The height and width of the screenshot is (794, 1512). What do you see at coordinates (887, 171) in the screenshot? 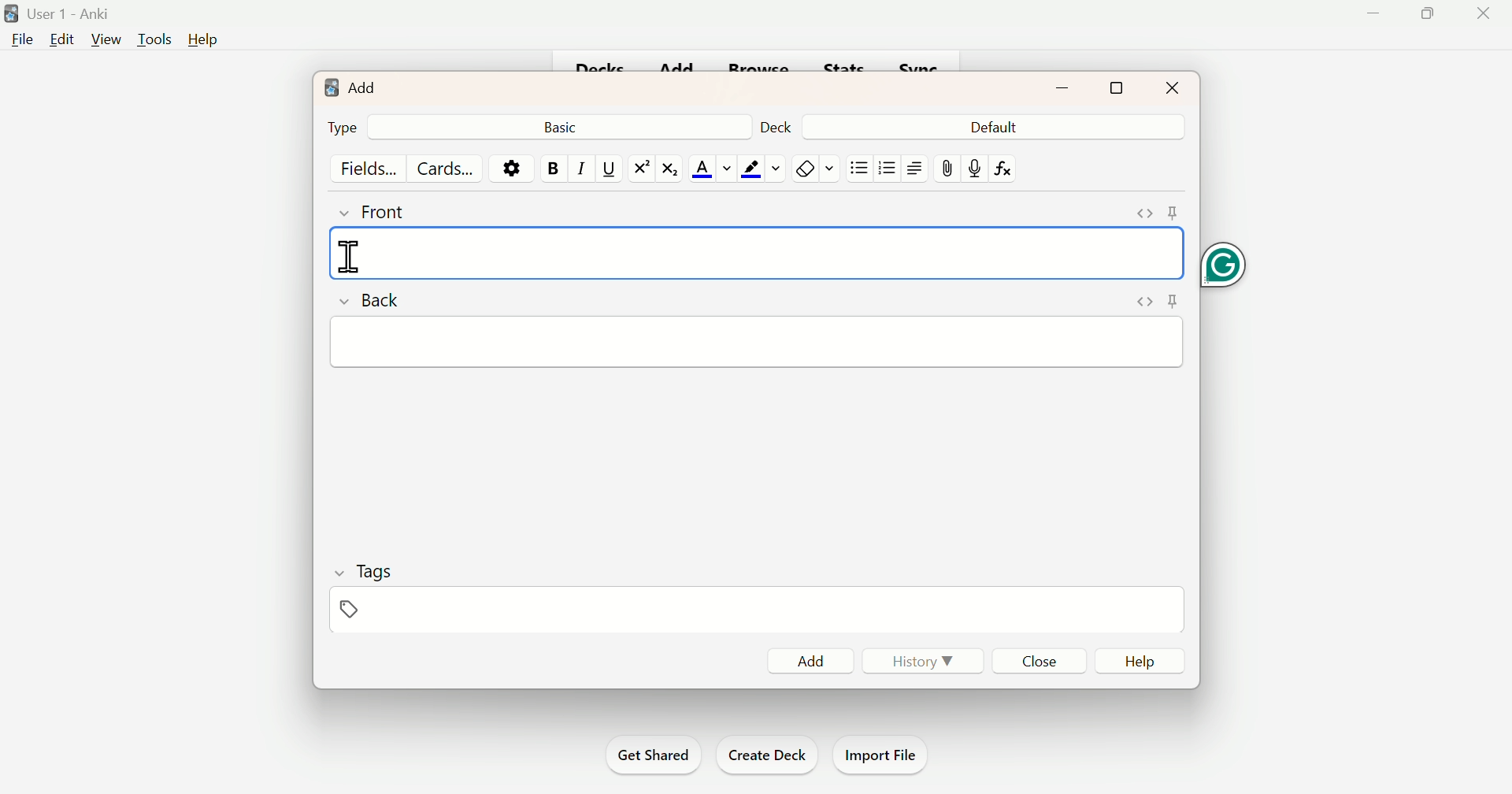
I see `Bullets` at bounding box center [887, 171].